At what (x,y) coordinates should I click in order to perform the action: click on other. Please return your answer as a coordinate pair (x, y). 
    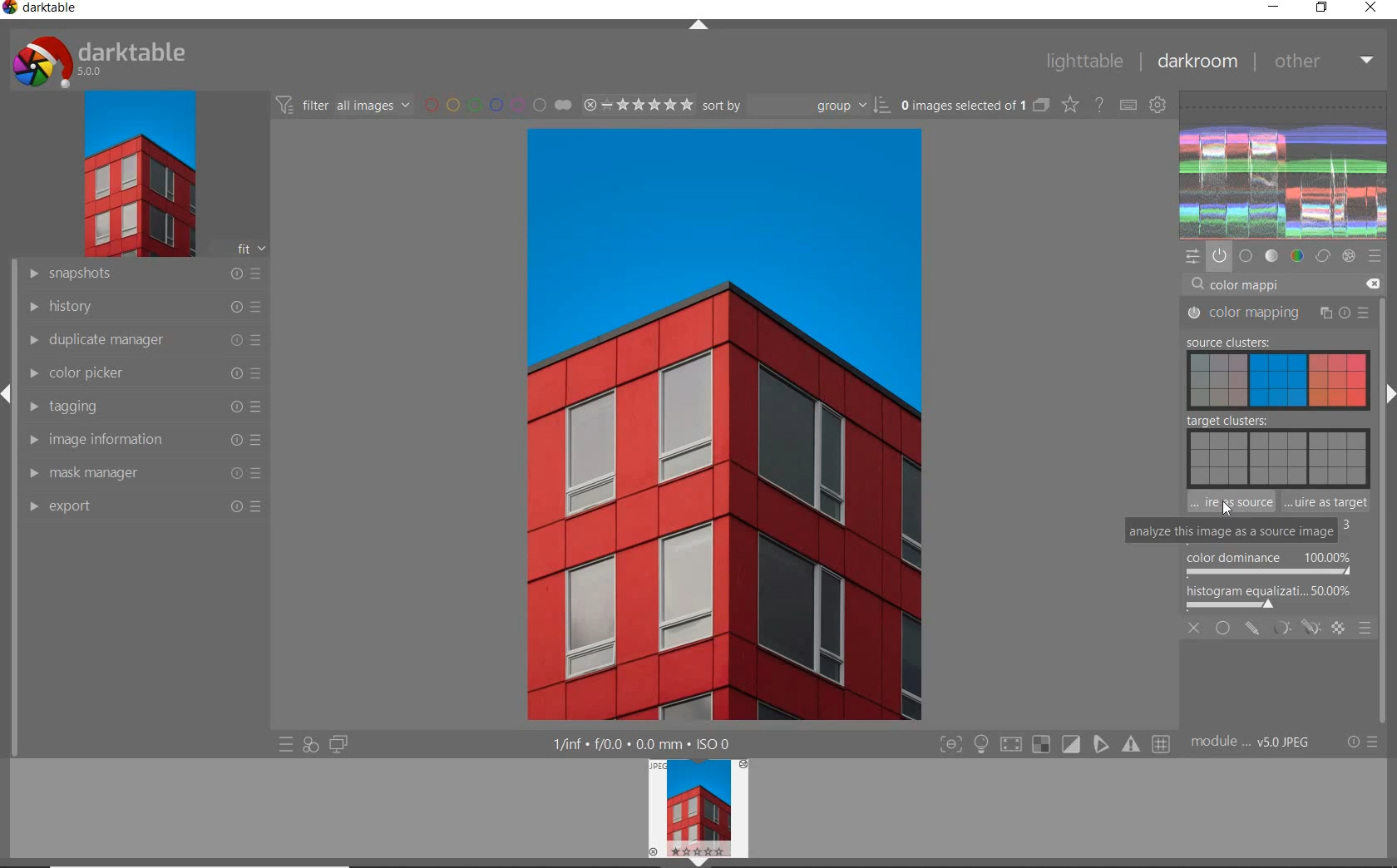
    Looking at the image, I should click on (1322, 62).